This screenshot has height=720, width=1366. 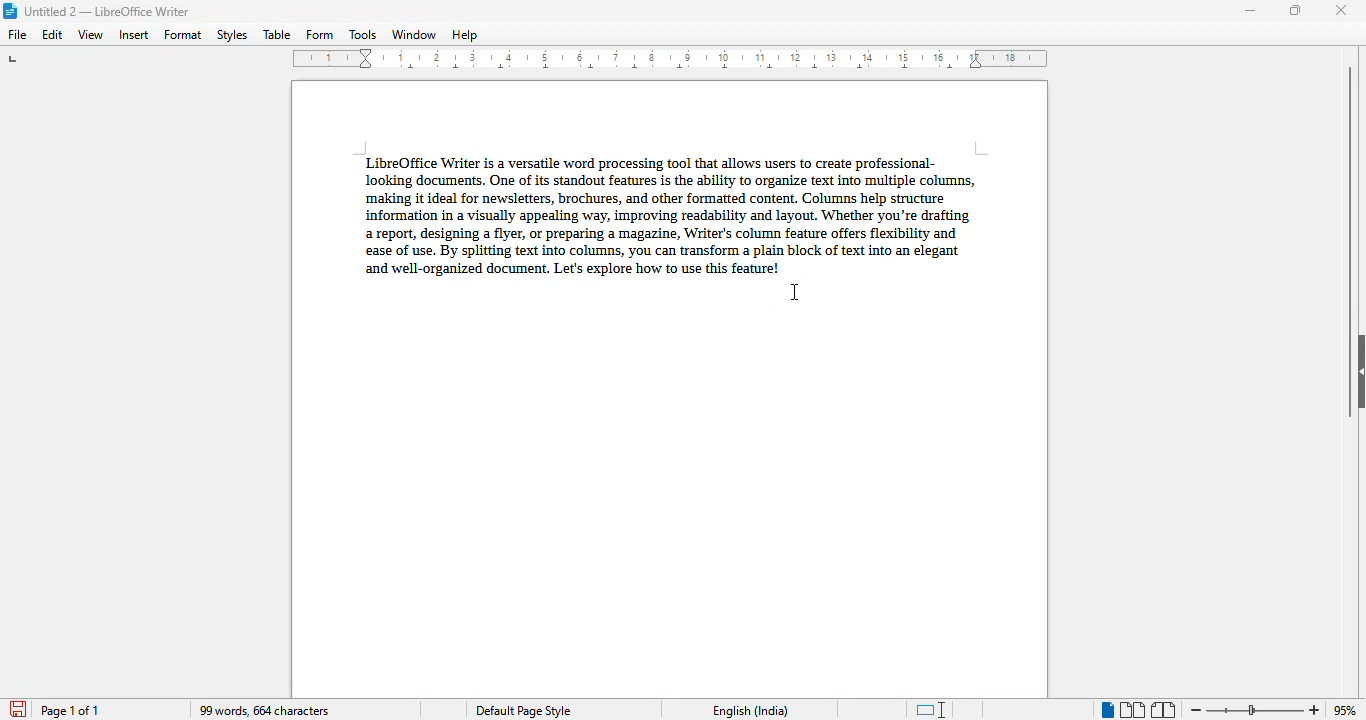 I want to click on English (India), so click(x=750, y=711).